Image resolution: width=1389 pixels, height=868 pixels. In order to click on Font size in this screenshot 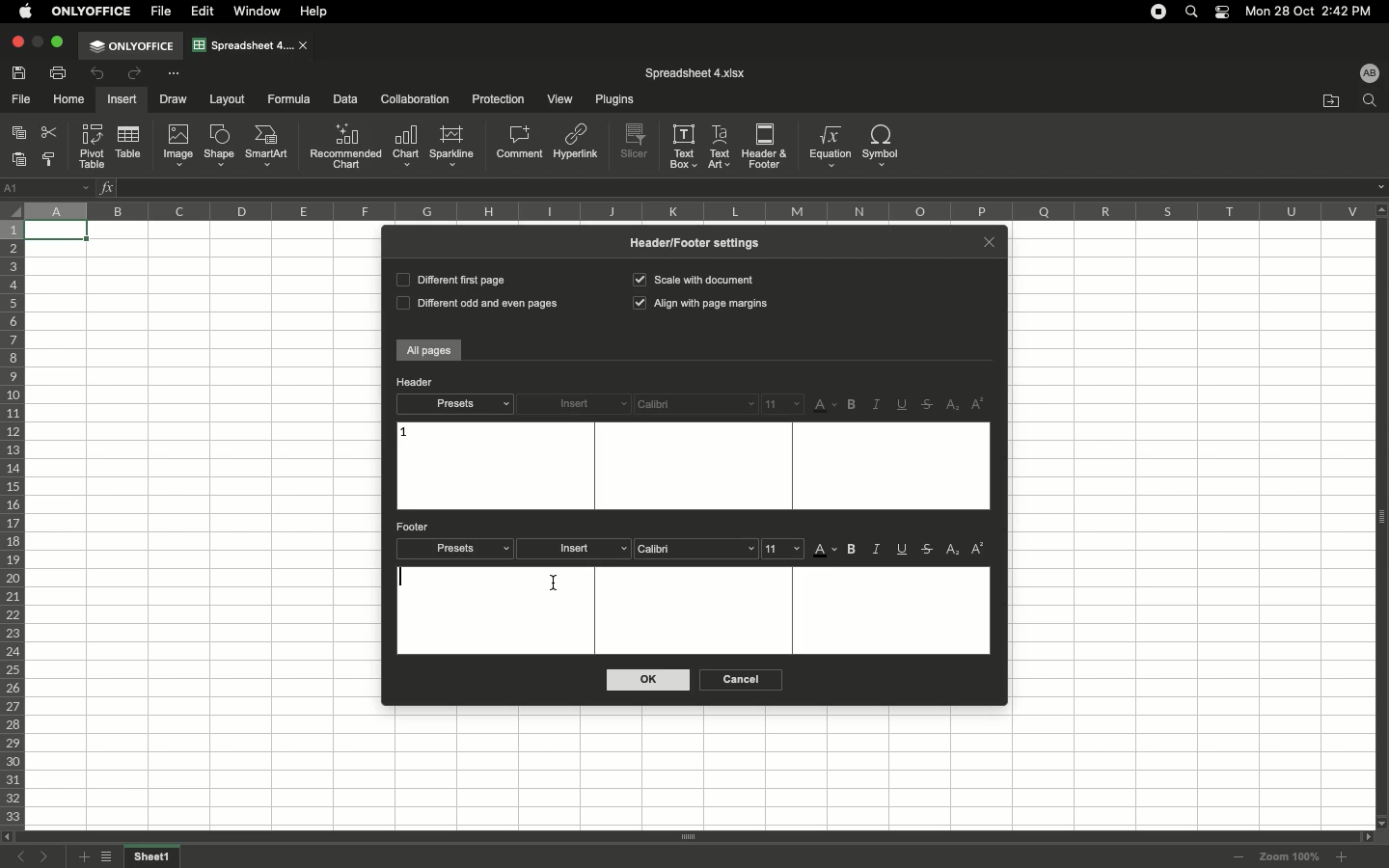, I will do `click(783, 403)`.